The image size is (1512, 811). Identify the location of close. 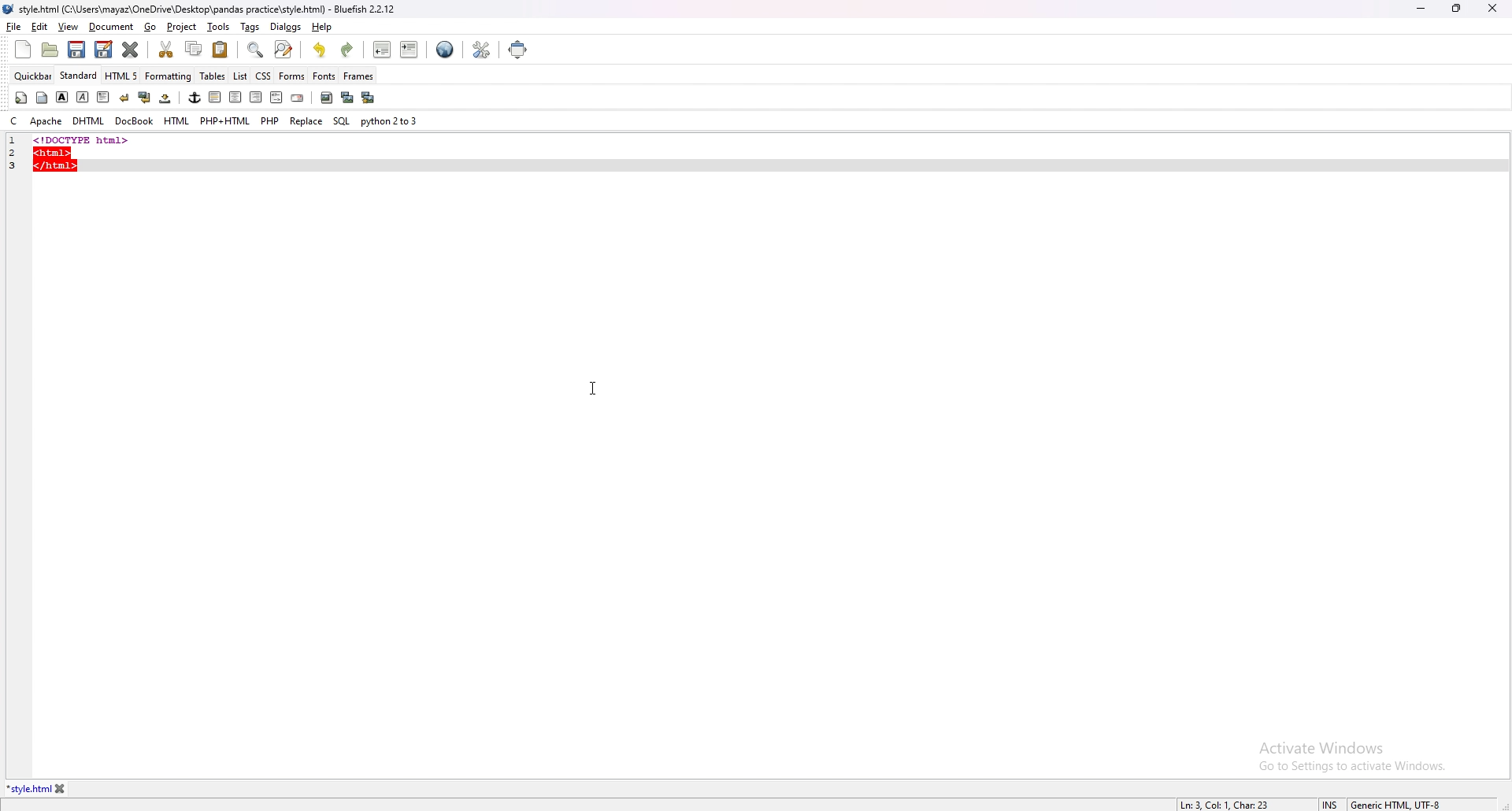
(1492, 8).